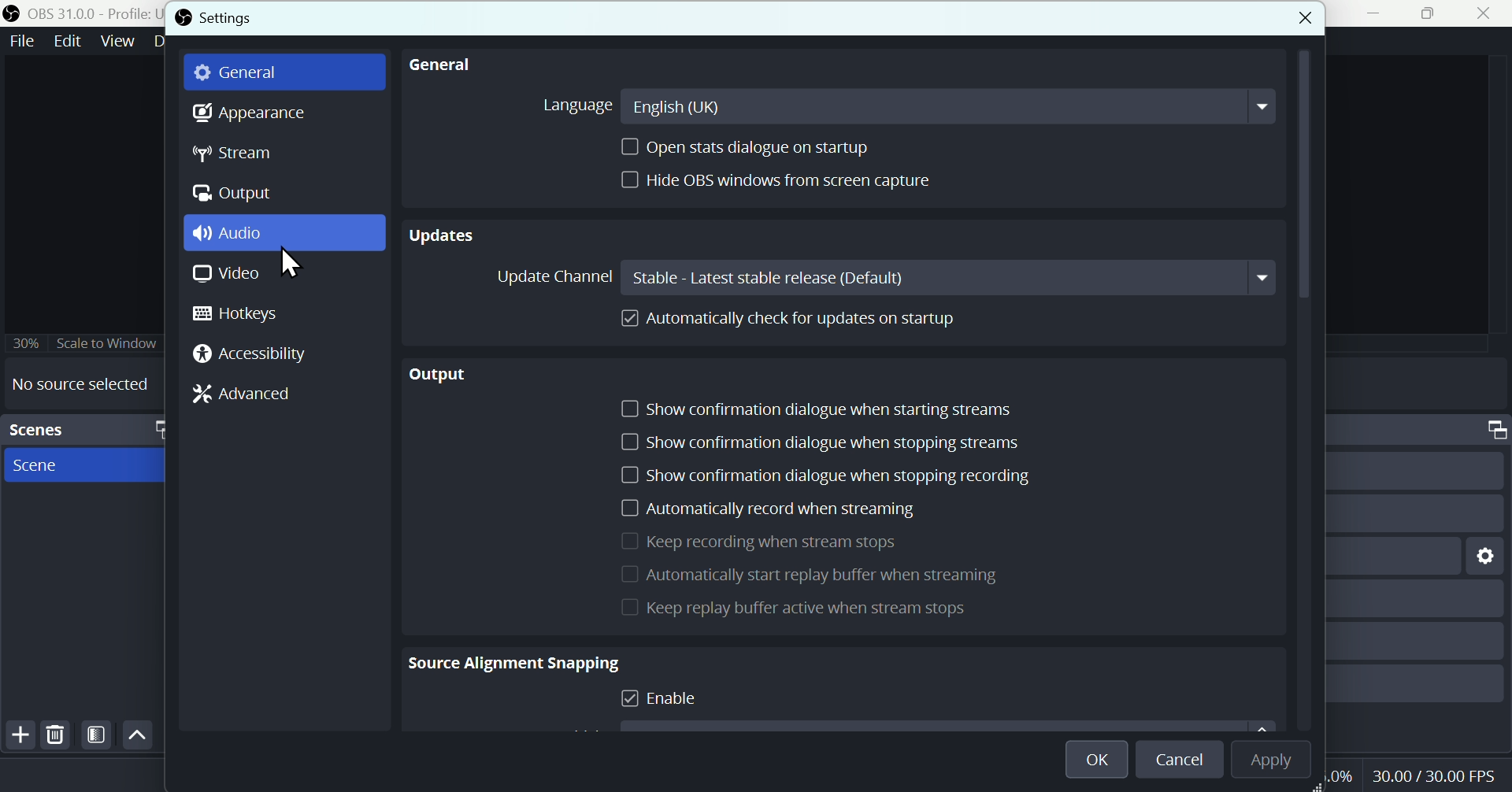 The height and width of the screenshot is (792, 1512). Describe the element at coordinates (774, 180) in the screenshot. I see `Hide OBS window from screen capture` at that location.